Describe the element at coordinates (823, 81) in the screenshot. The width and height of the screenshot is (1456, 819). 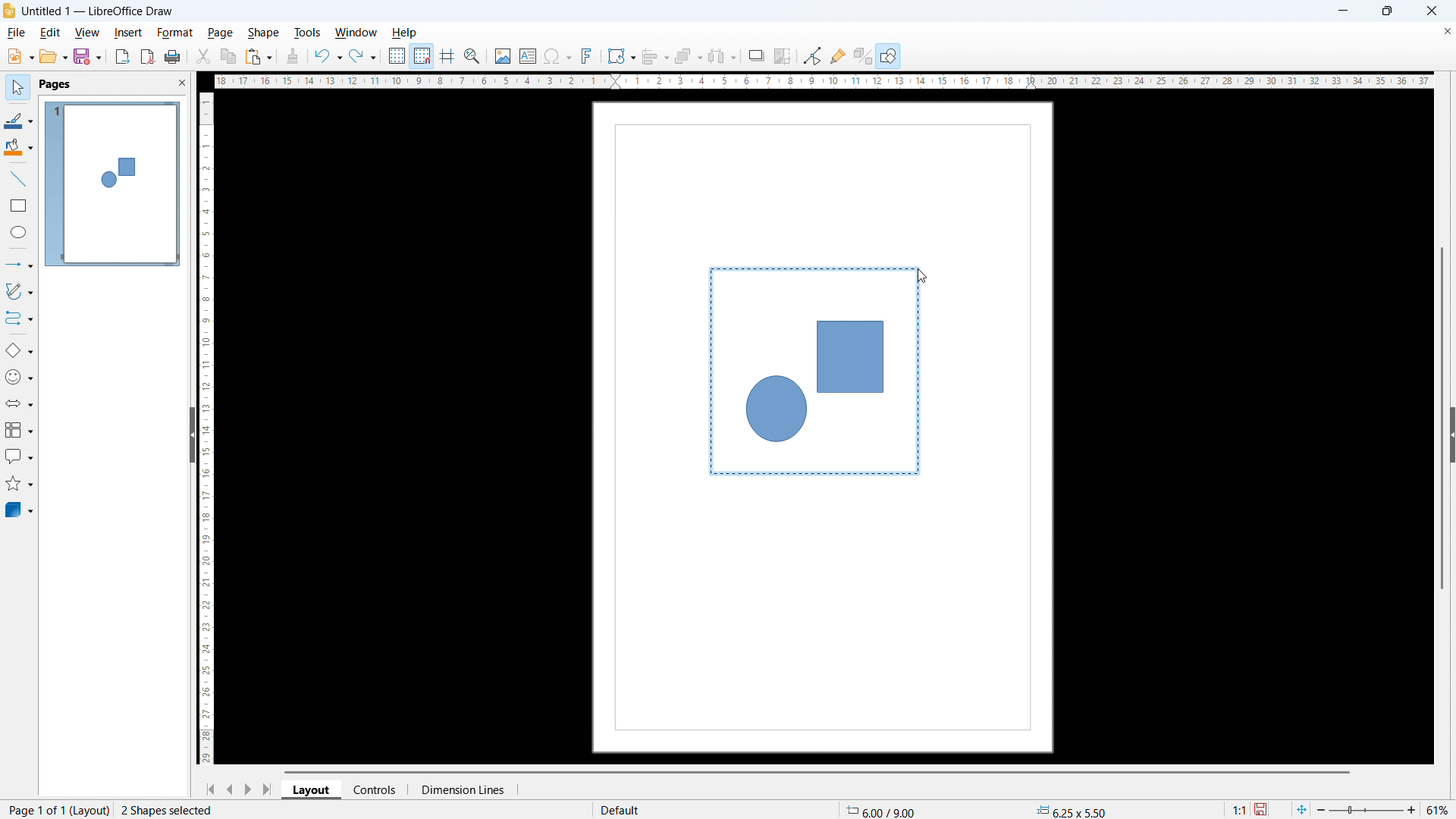
I see `horizontal ruler` at that location.